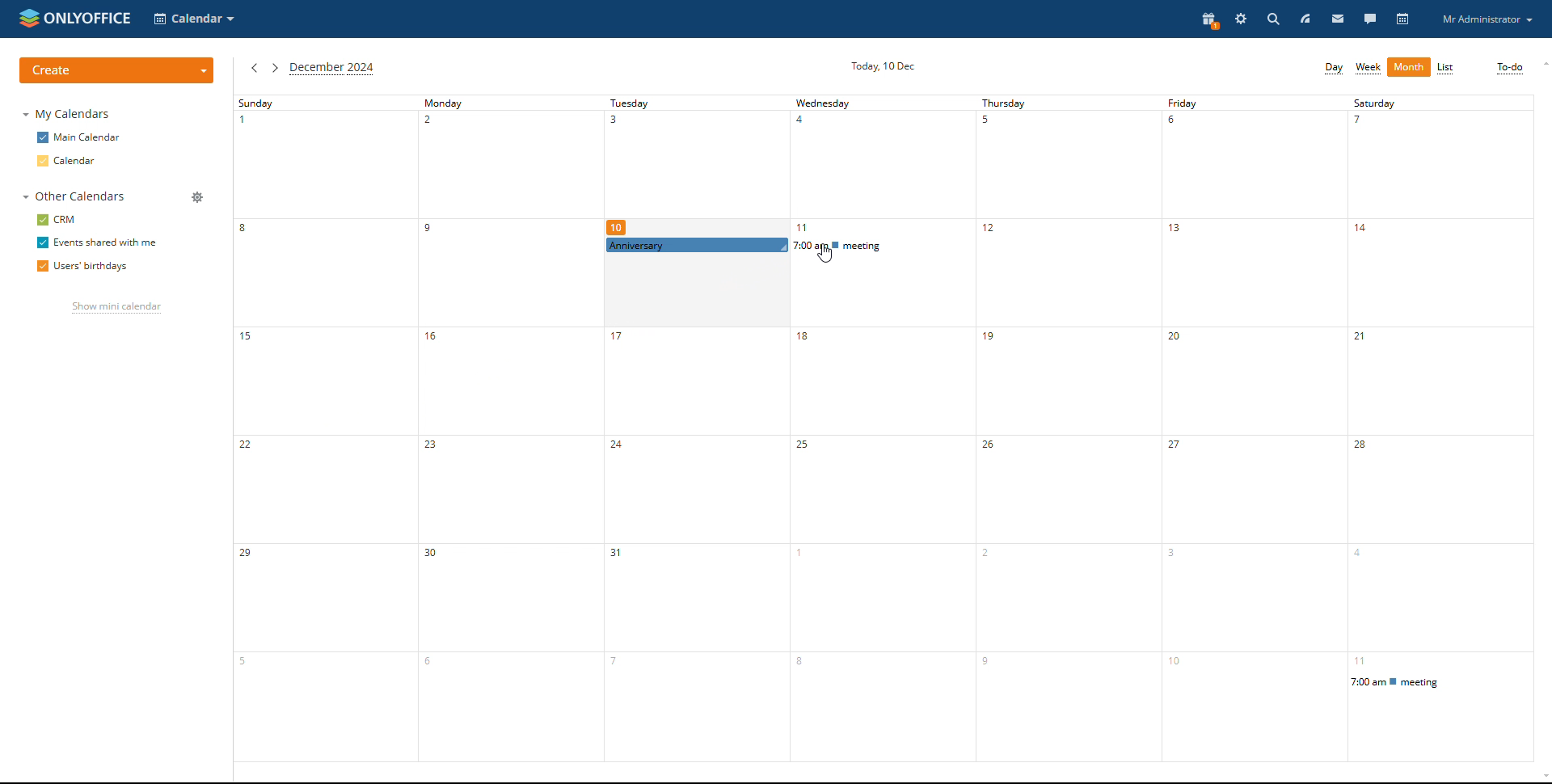  Describe the element at coordinates (690, 428) in the screenshot. I see `` at that location.